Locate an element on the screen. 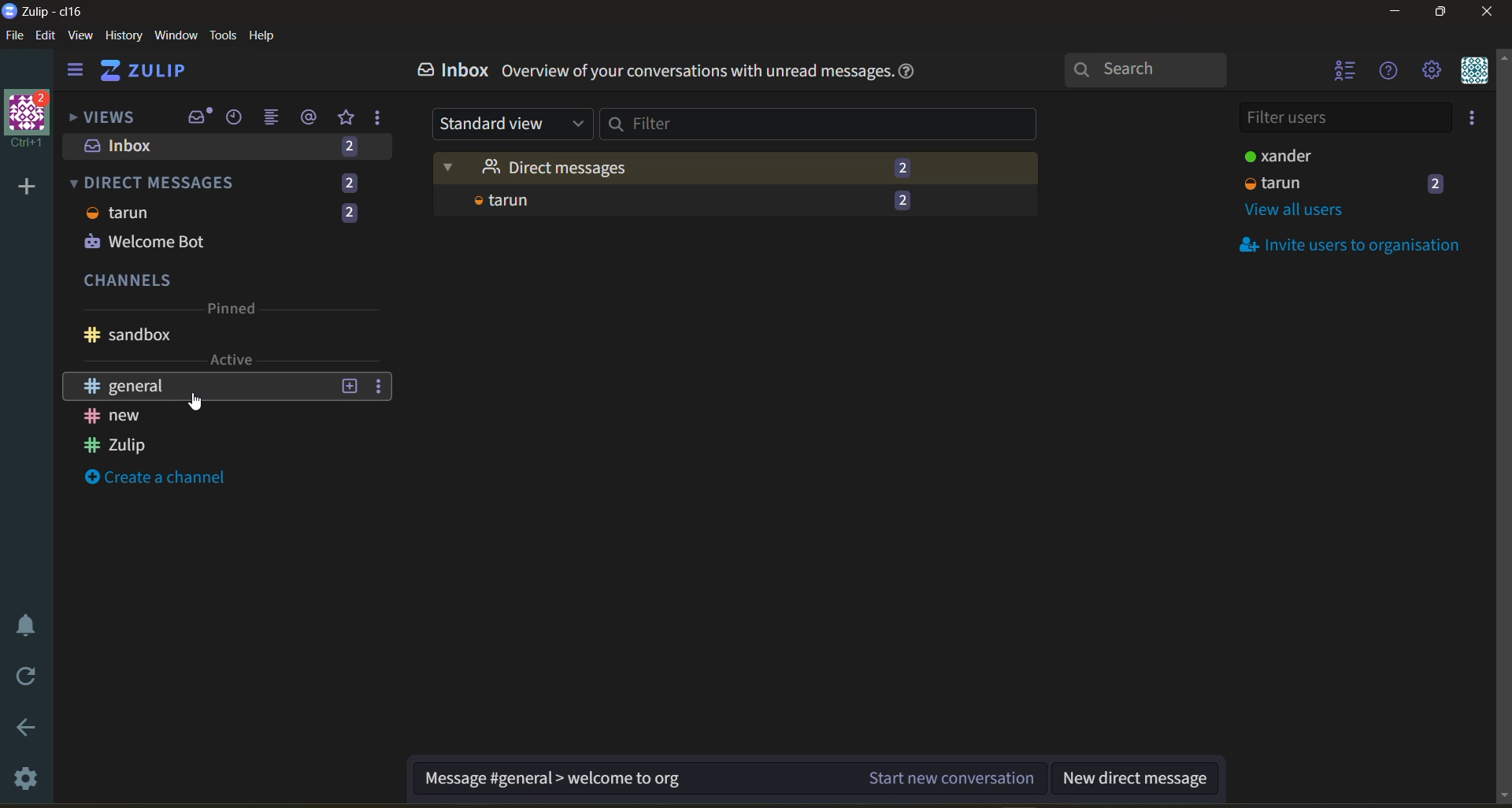 The width and height of the screenshot is (1512, 808). unread messages is located at coordinates (733, 168).